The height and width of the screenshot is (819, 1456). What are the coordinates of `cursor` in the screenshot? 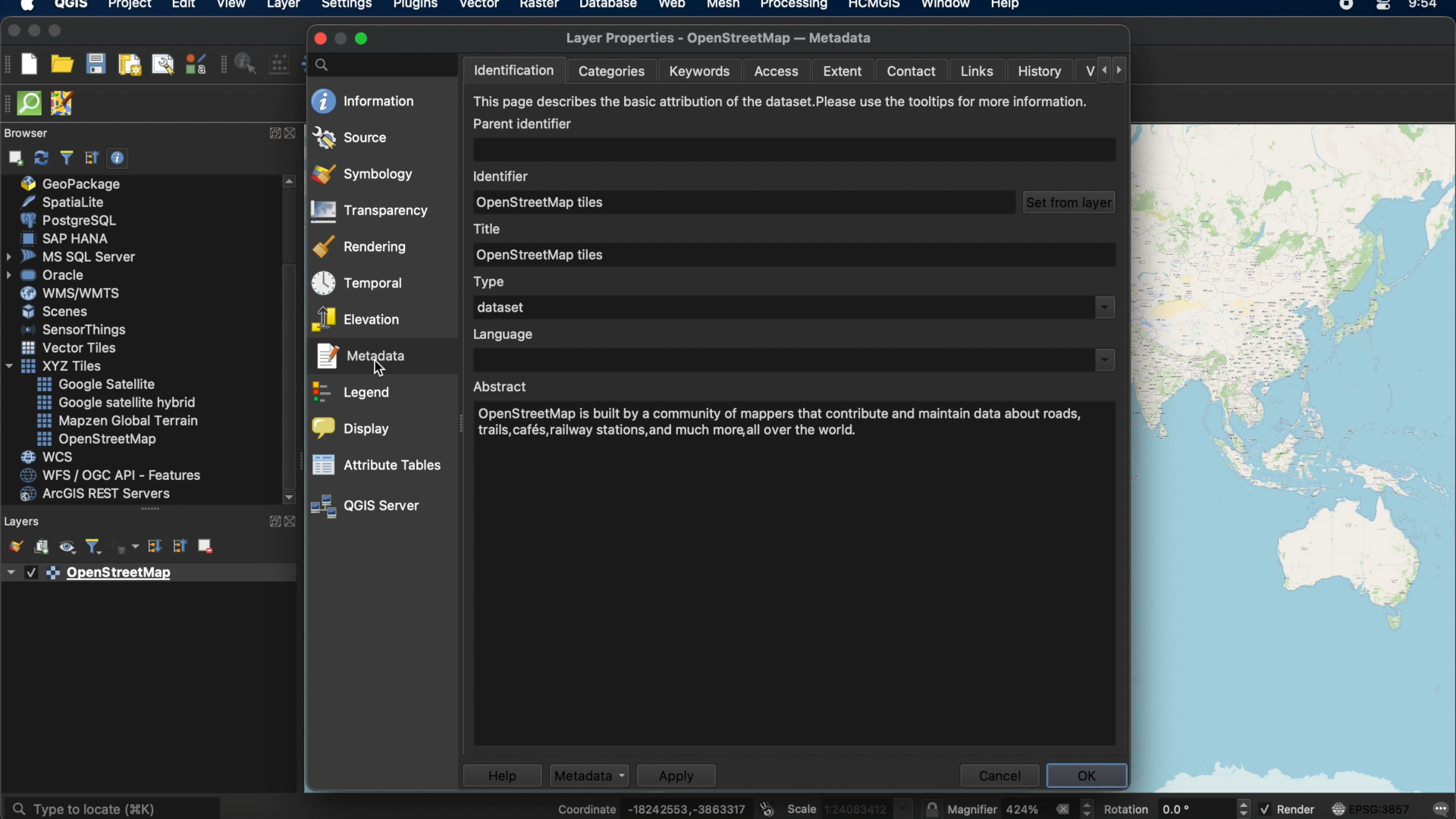 It's located at (379, 367).